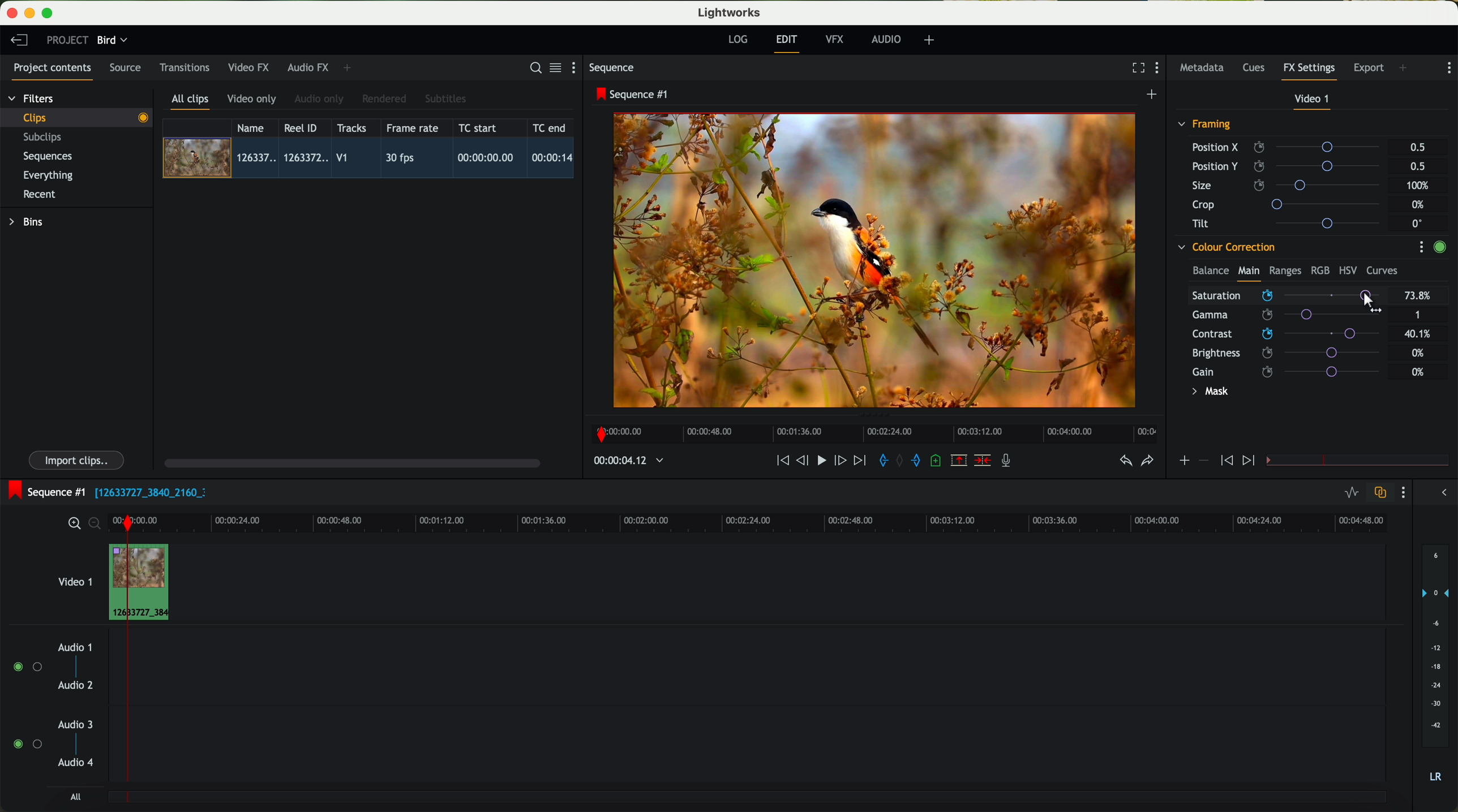 The width and height of the screenshot is (1458, 812). Describe the element at coordinates (633, 94) in the screenshot. I see `sequence #1` at that location.